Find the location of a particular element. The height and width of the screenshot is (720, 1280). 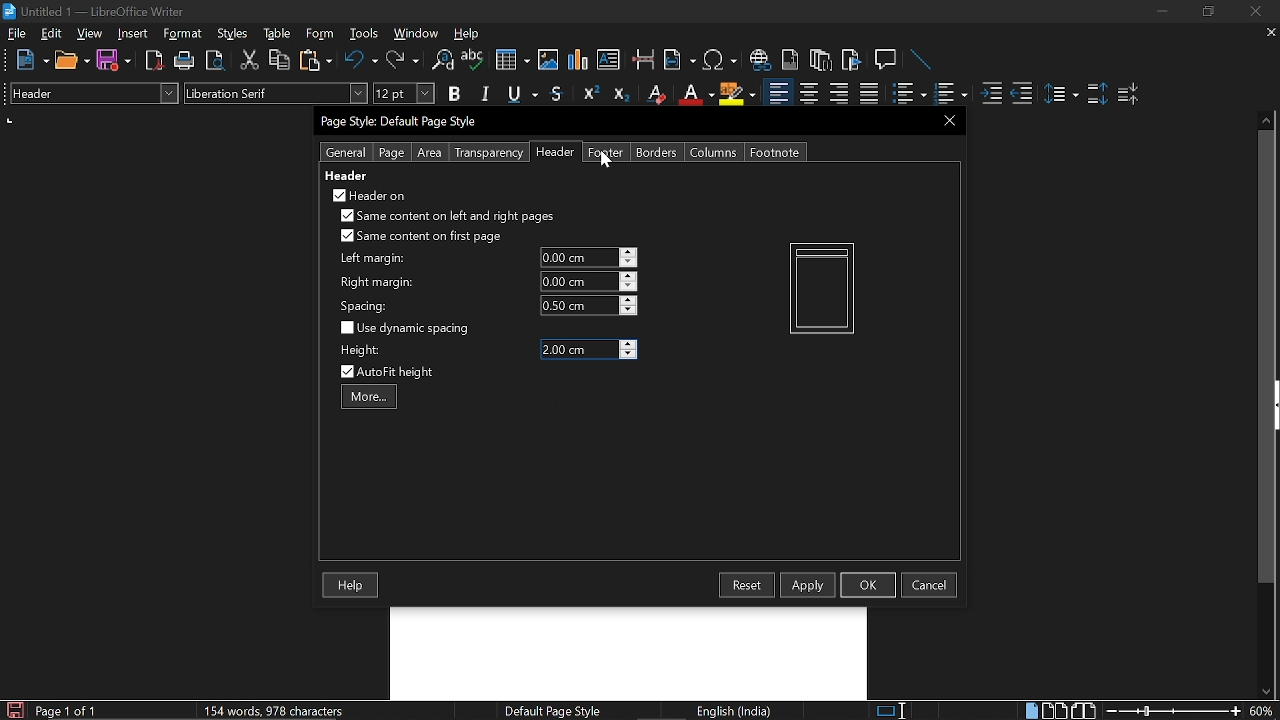

Same content on first page is located at coordinates (422, 237).